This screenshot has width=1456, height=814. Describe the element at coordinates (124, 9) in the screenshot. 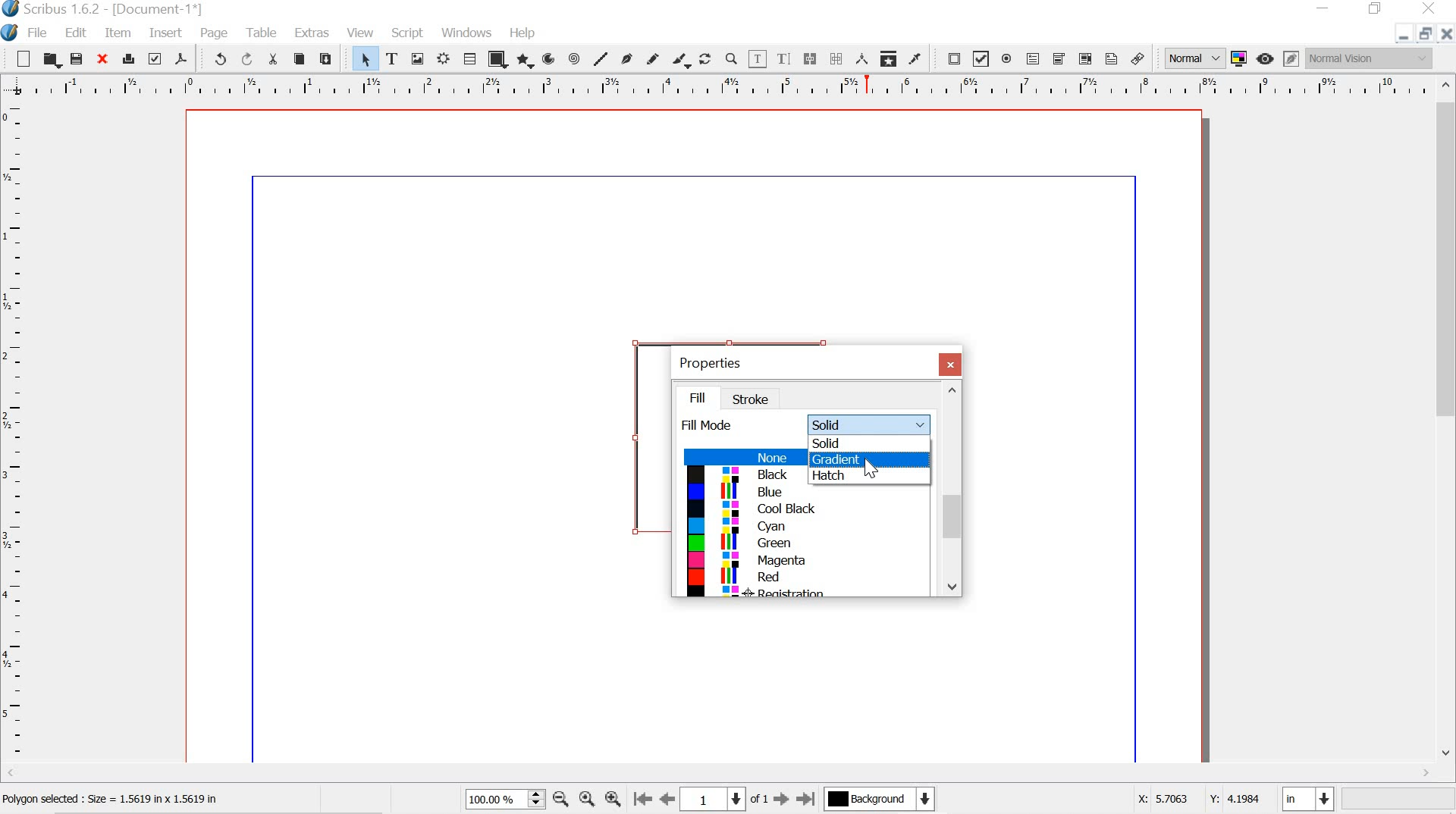

I see `Scribus 1.6.2 - [Document-1*]` at that location.